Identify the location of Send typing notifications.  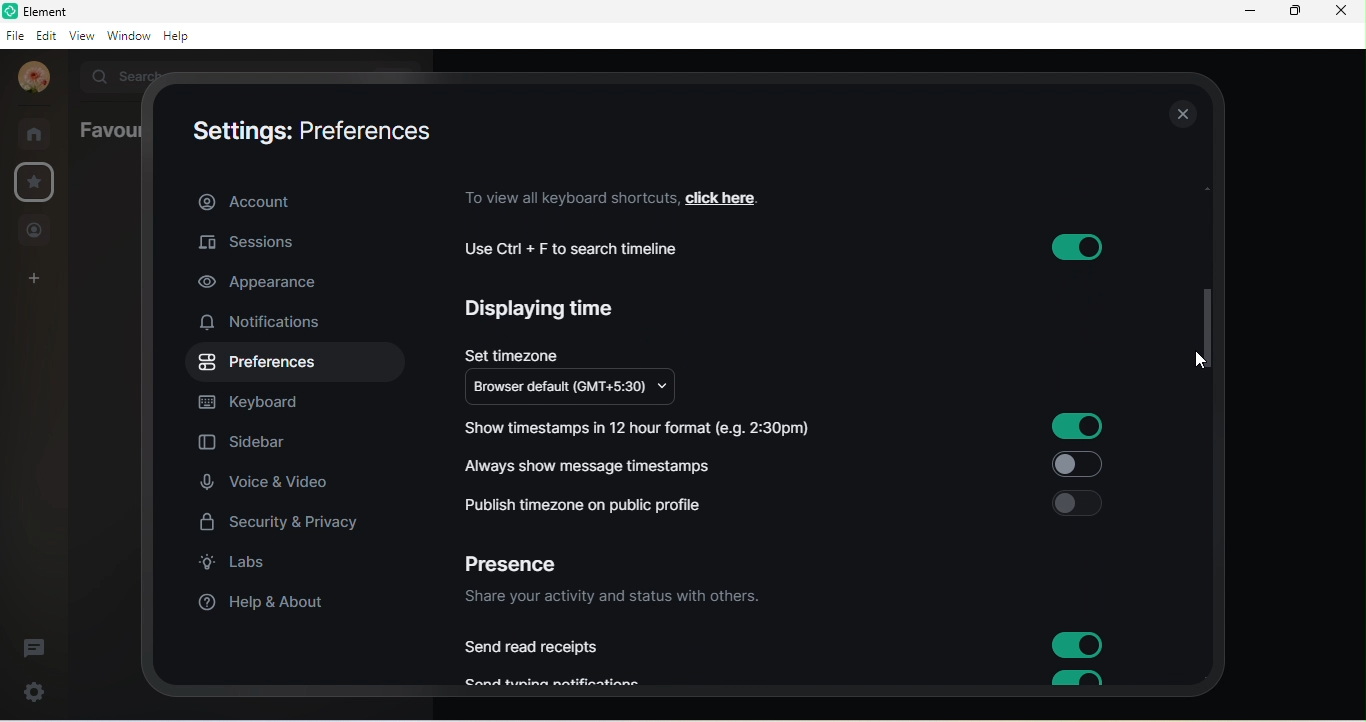
(564, 681).